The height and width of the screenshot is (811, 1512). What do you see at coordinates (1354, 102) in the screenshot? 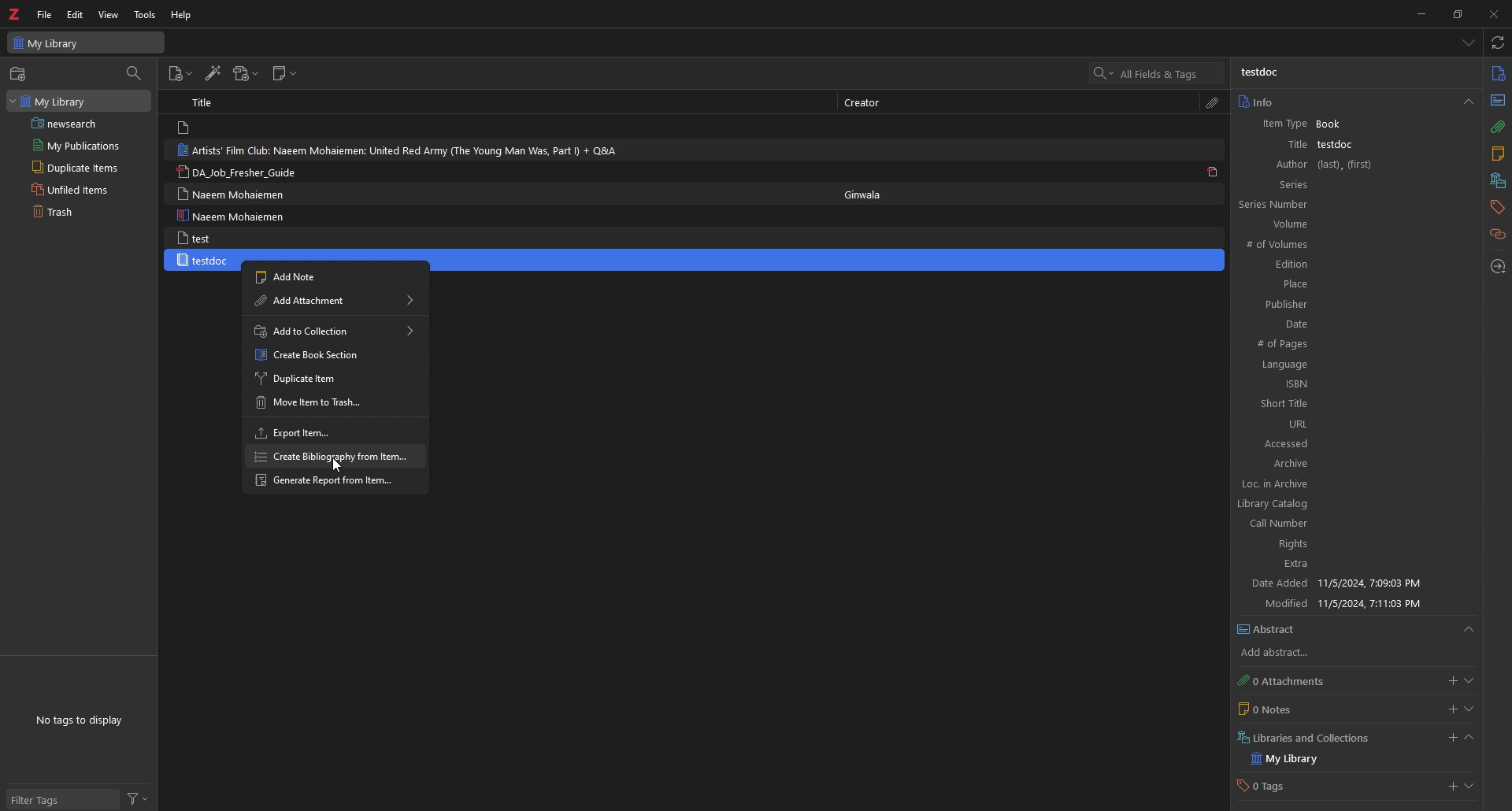
I see `info` at bounding box center [1354, 102].